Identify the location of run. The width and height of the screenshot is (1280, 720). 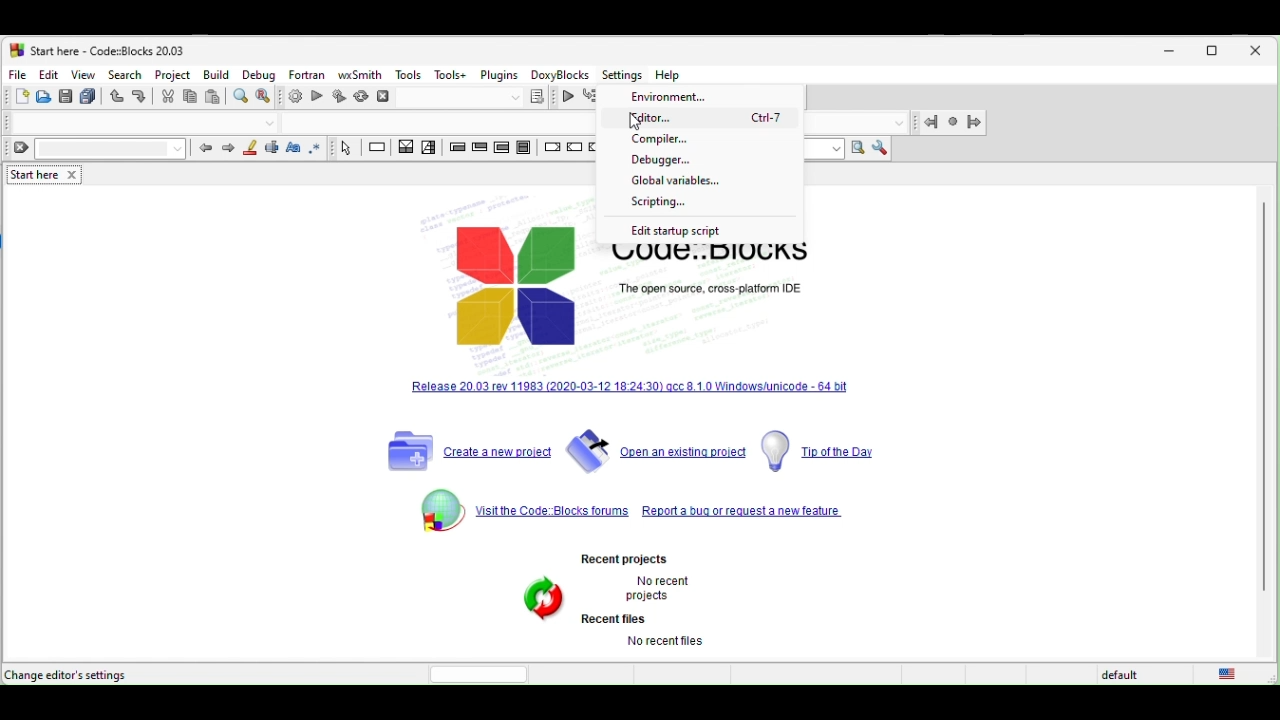
(318, 98).